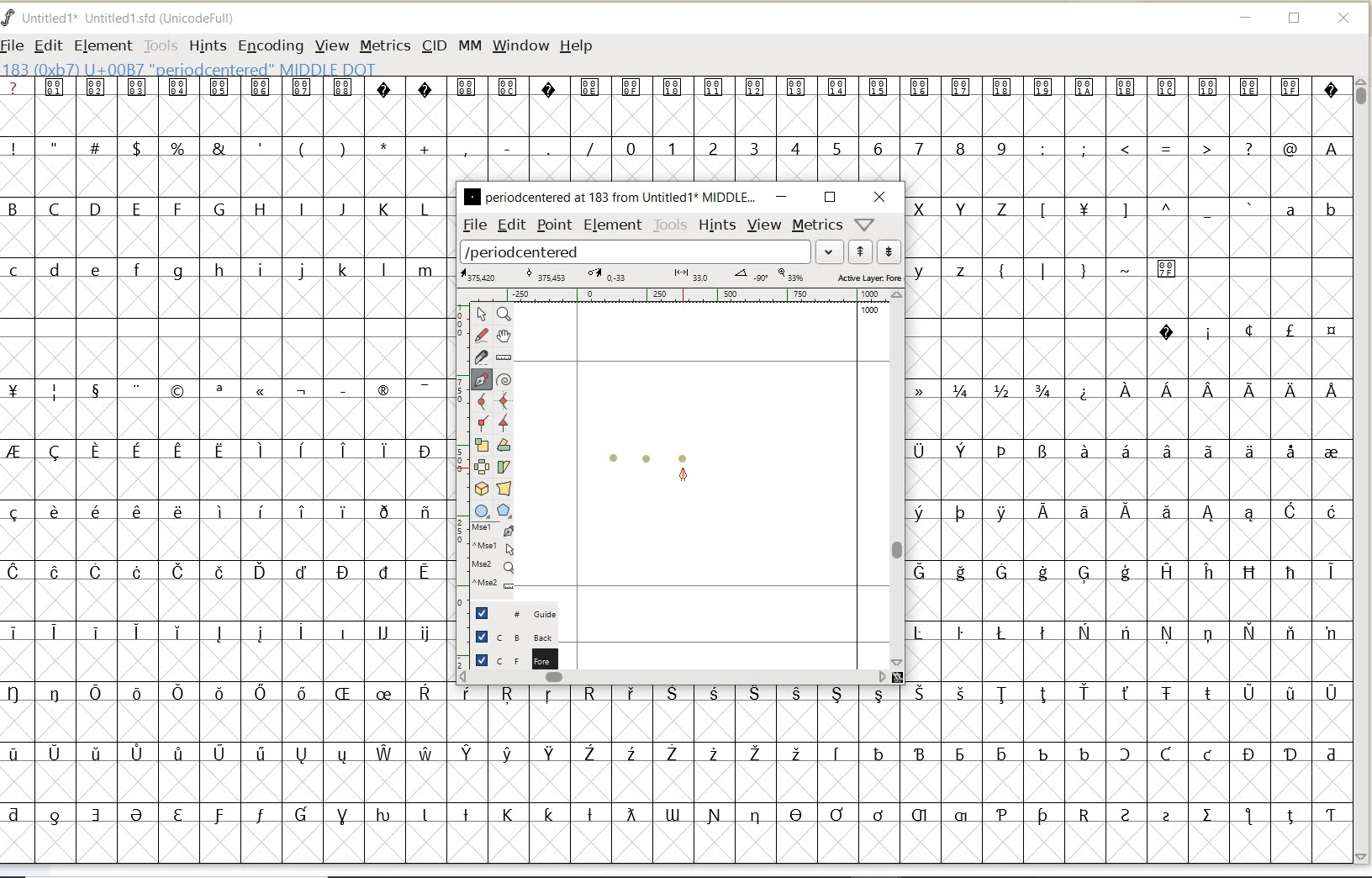  I want to click on load word list, so click(636, 252).